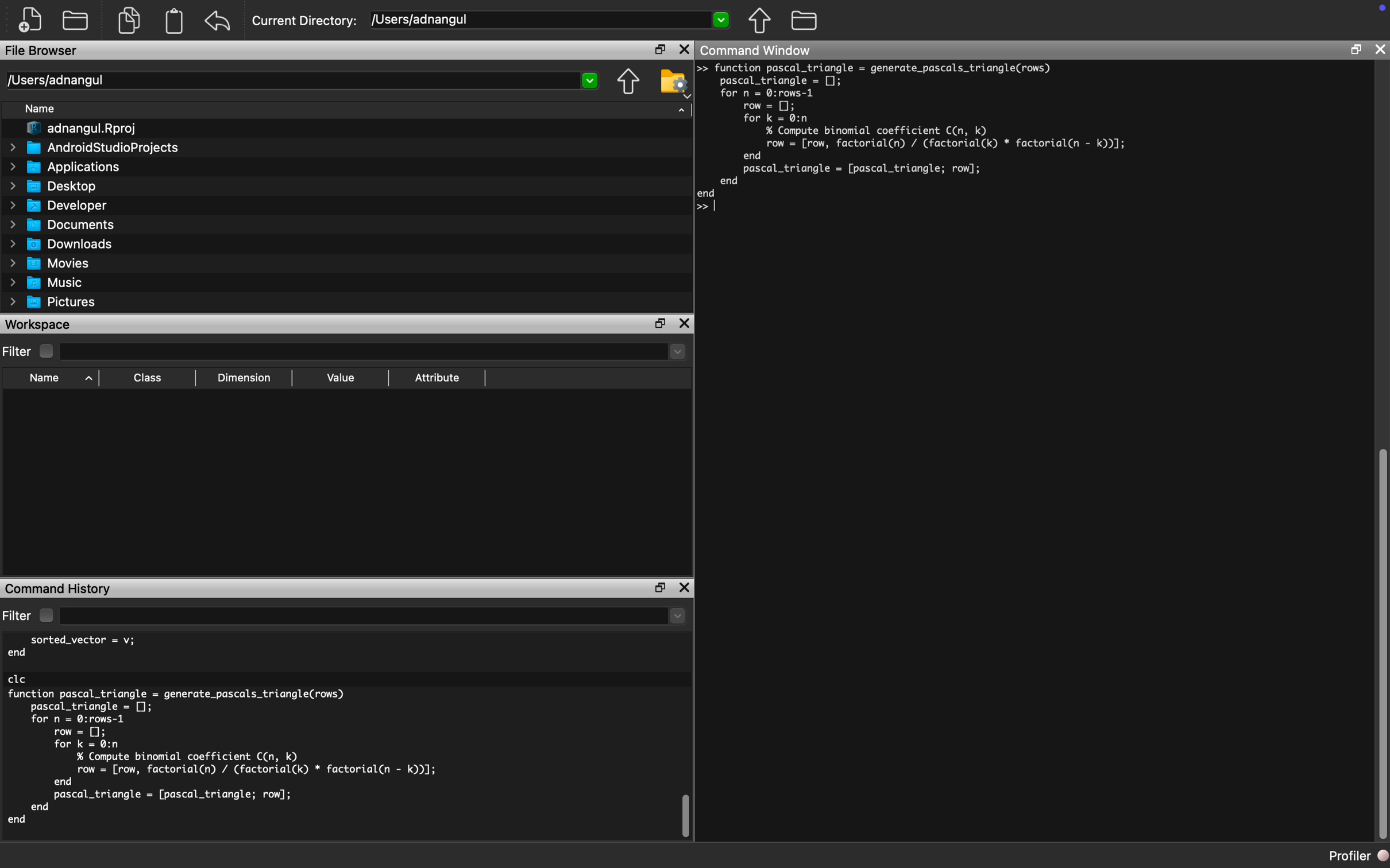 The image size is (1390, 868). What do you see at coordinates (75, 22) in the screenshot?
I see `Folder` at bounding box center [75, 22].